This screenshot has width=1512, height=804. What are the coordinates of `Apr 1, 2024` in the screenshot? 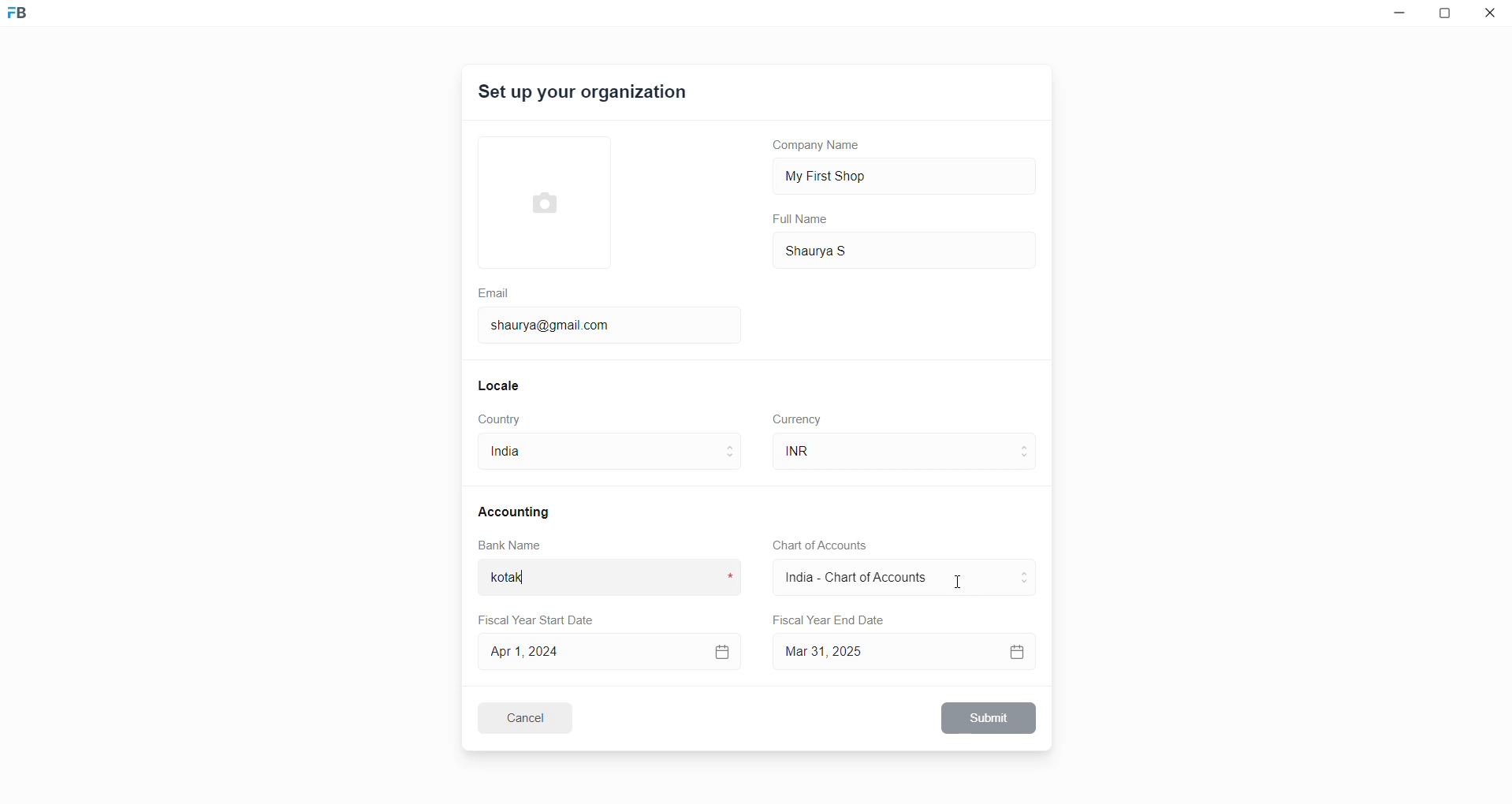 It's located at (608, 650).